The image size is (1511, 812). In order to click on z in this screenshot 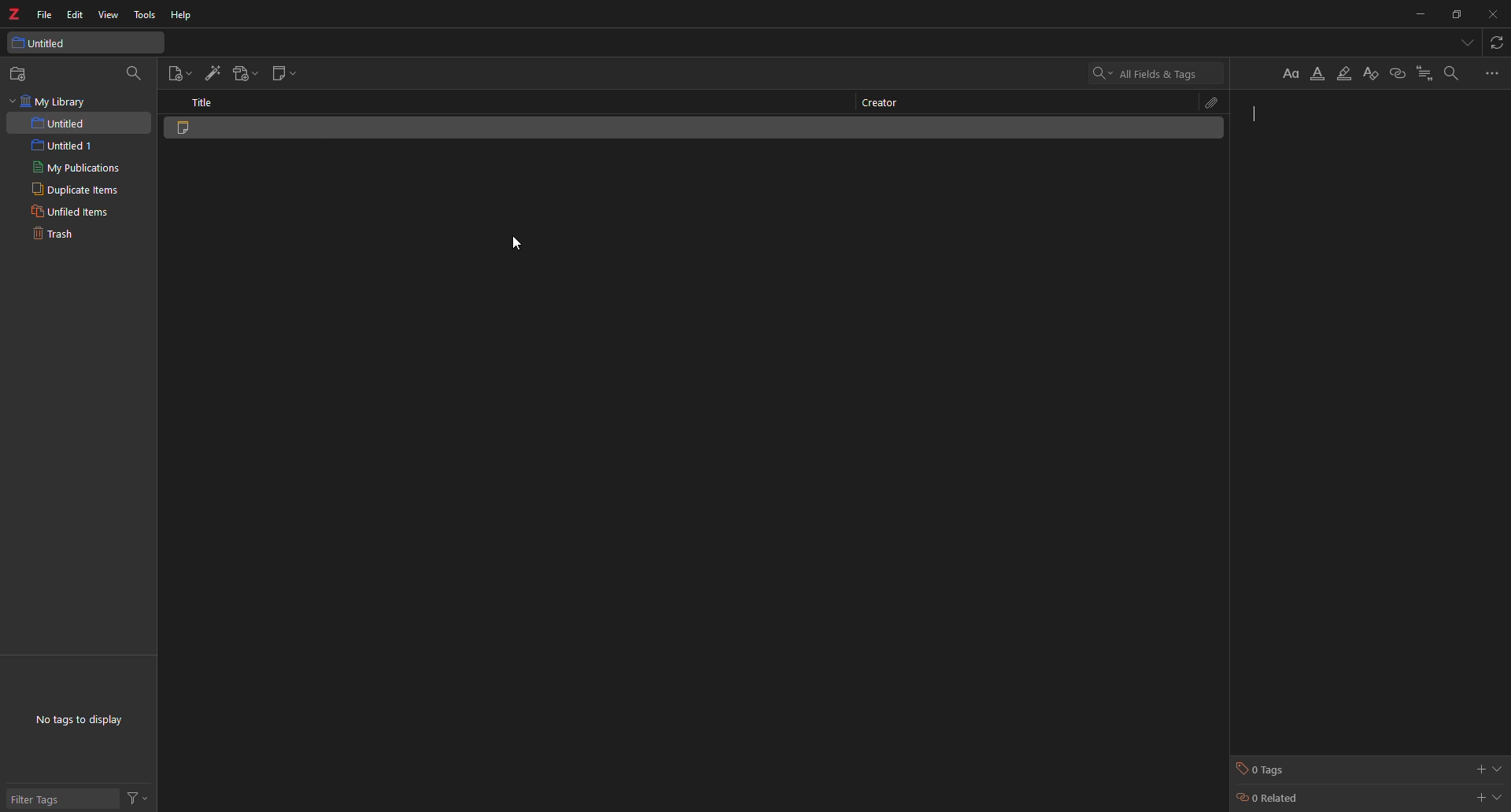, I will do `click(14, 15)`.